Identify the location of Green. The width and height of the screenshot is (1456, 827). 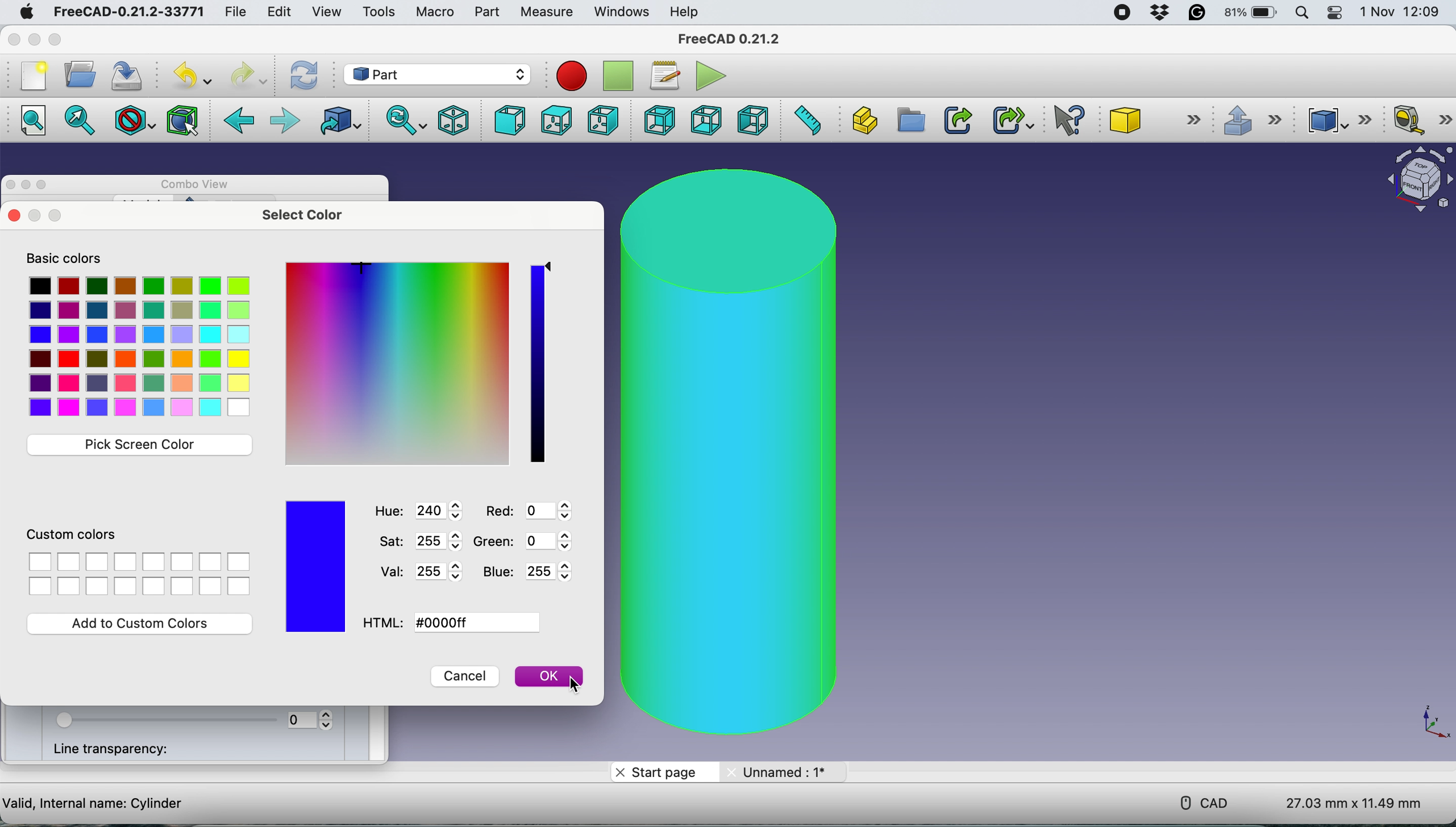
(522, 541).